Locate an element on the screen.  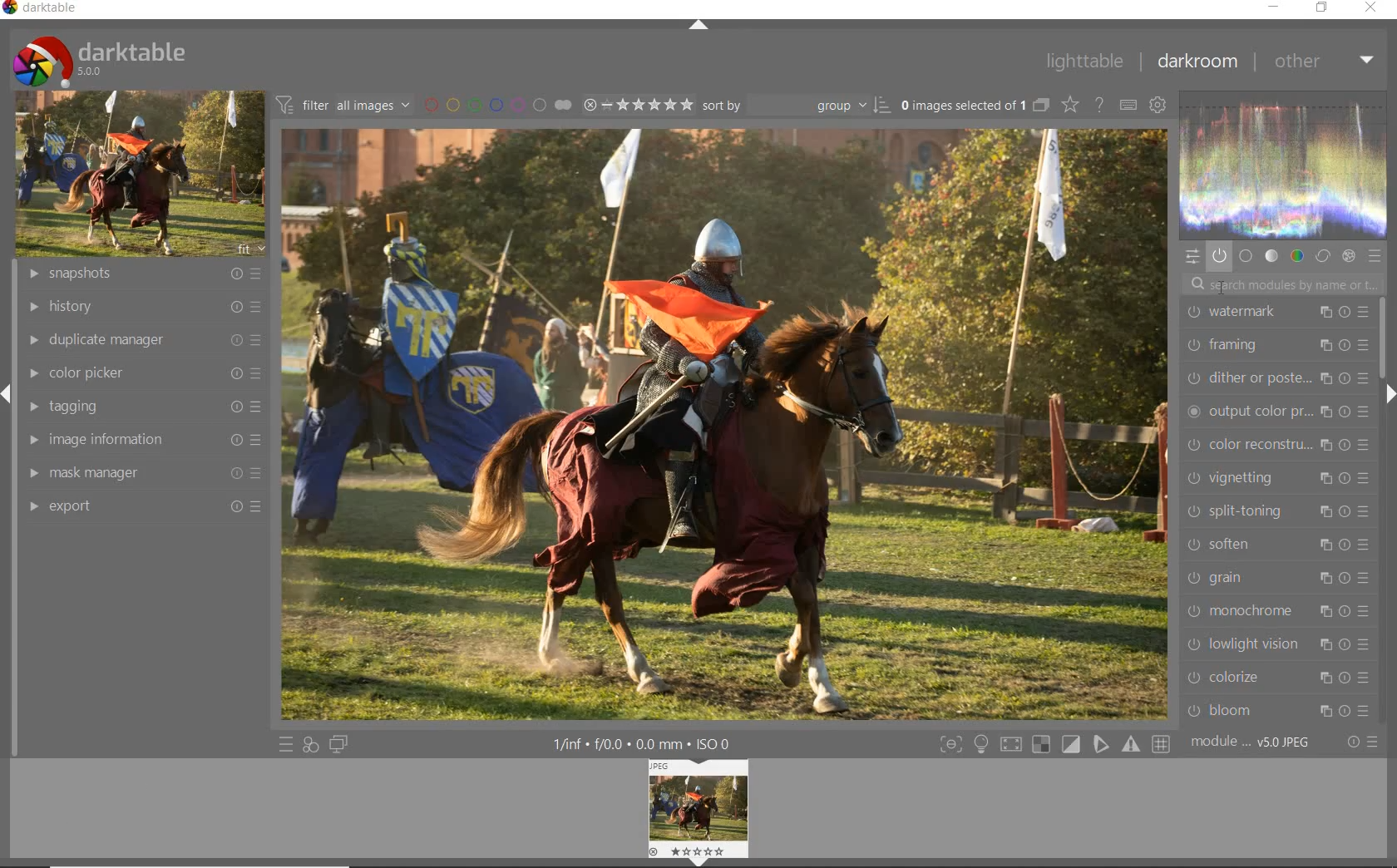
reset or presets & preferences is located at coordinates (1362, 743).